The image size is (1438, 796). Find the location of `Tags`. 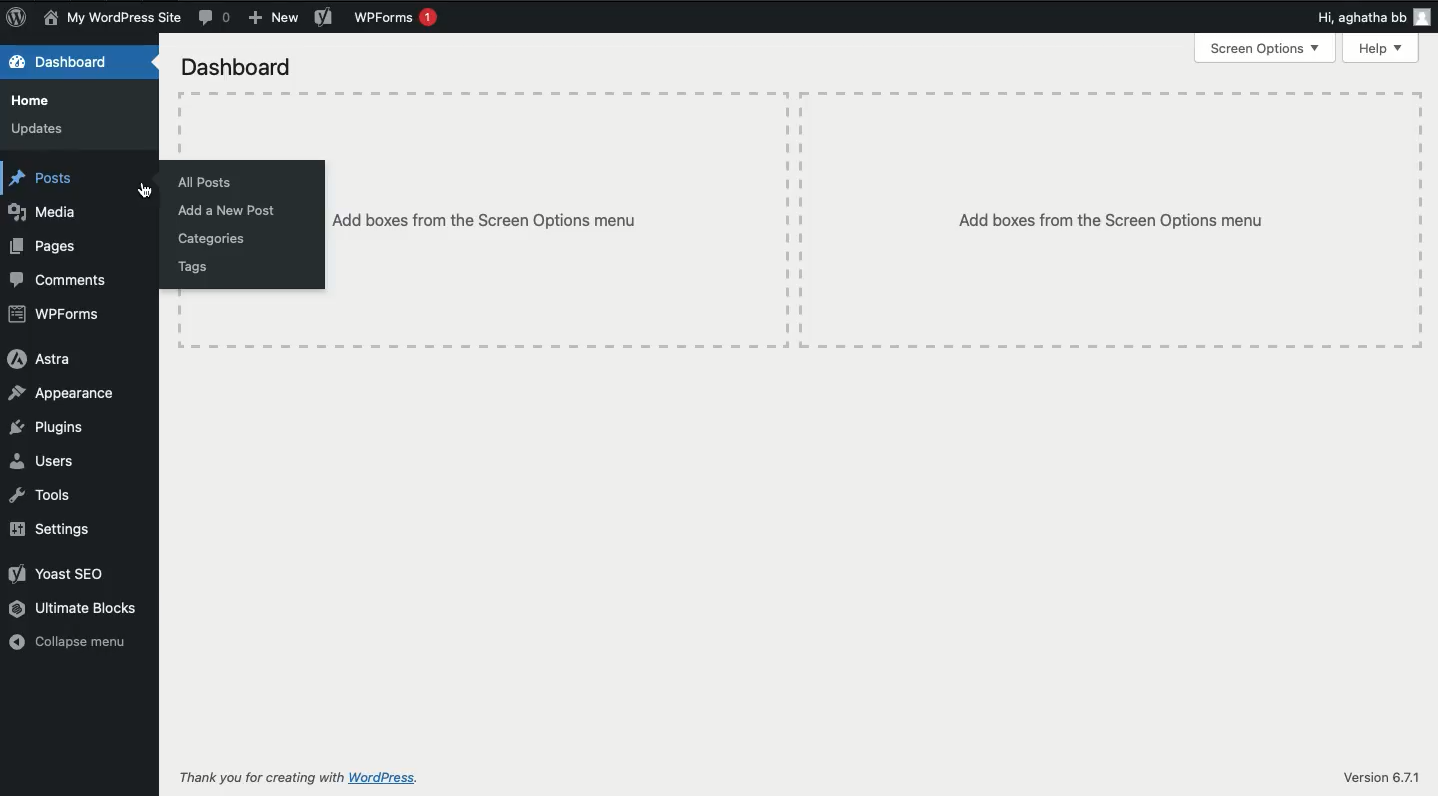

Tags is located at coordinates (194, 265).